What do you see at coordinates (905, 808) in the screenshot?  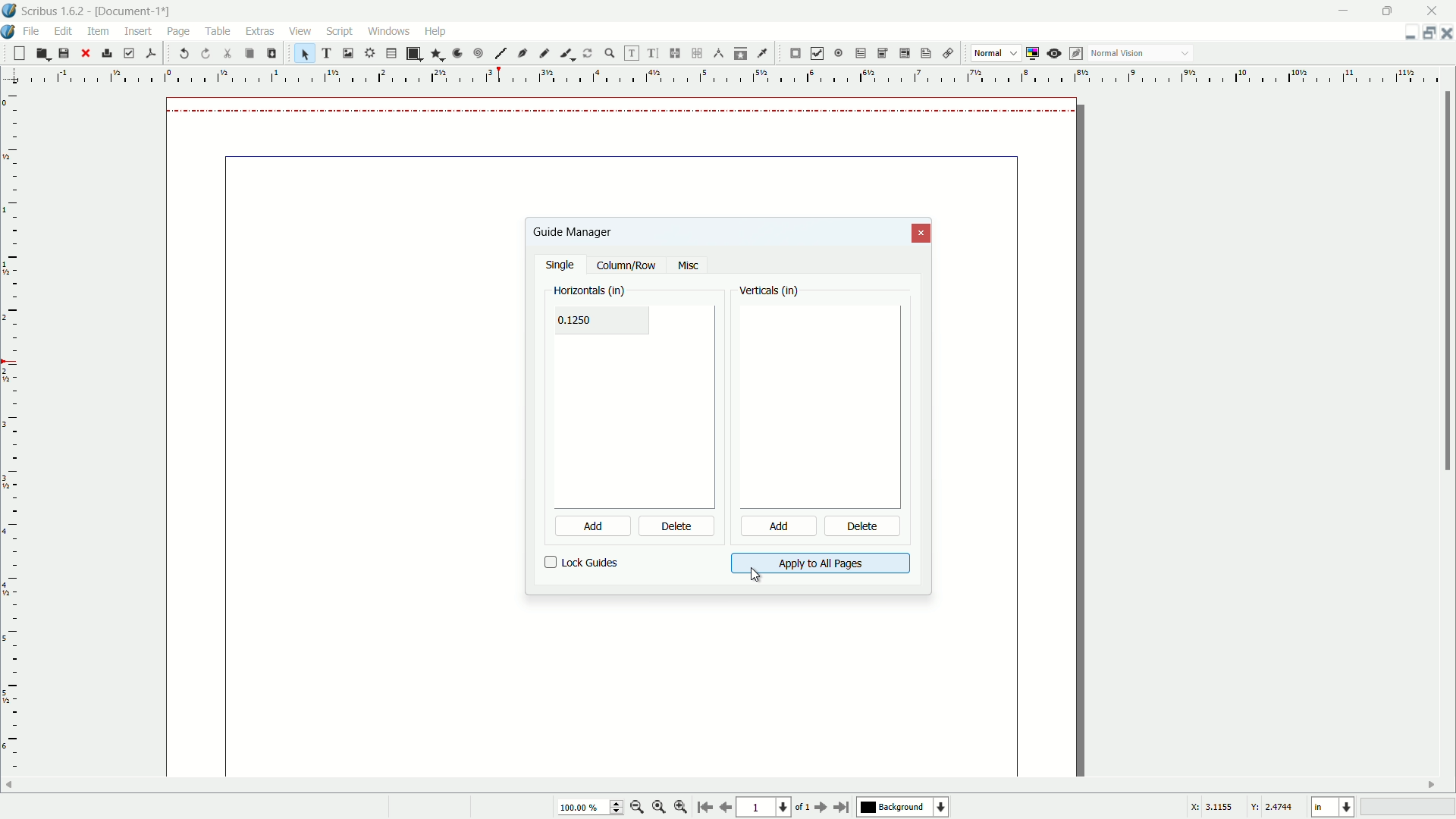 I see `background` at bounding box center [905, 808].